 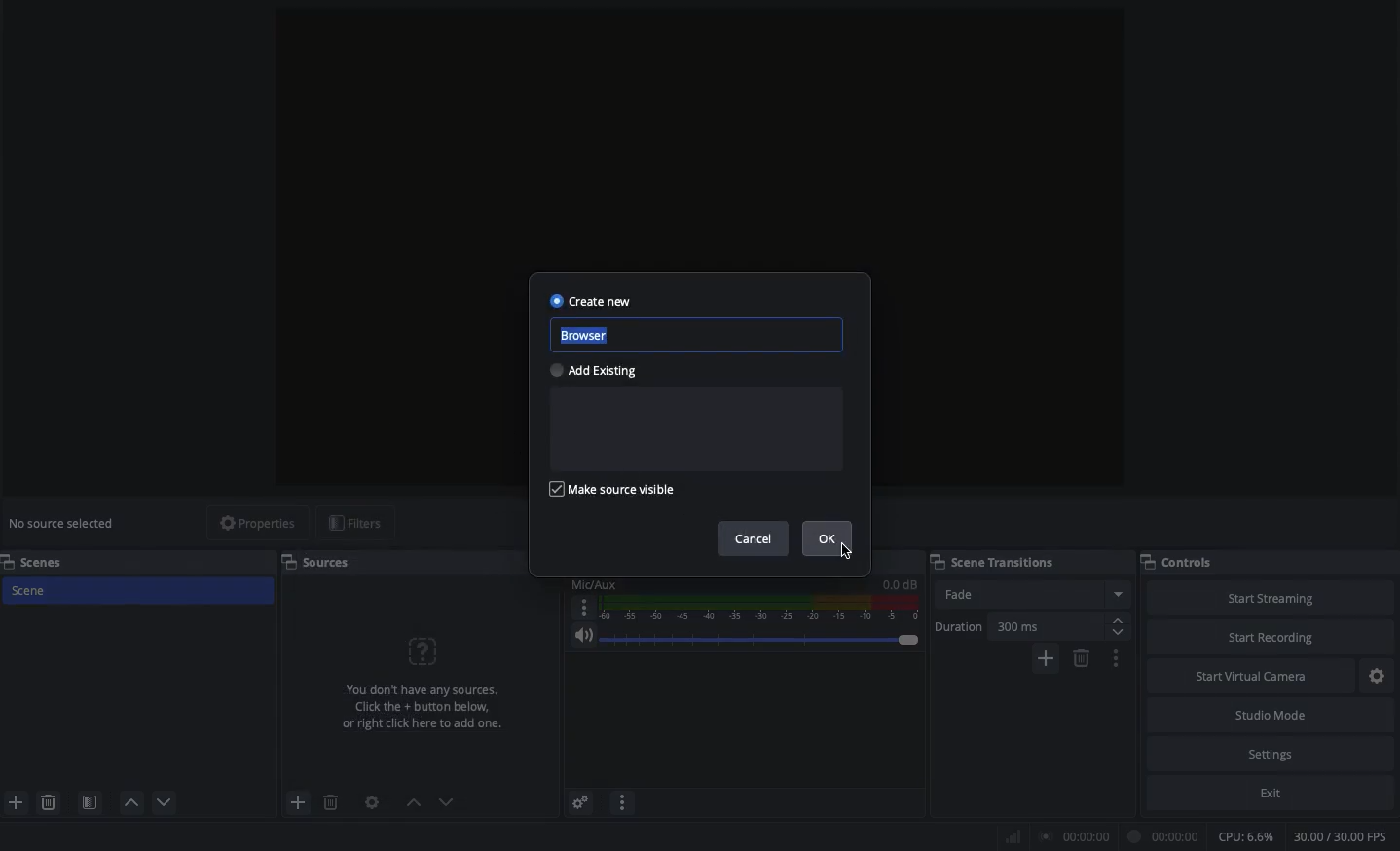 What do you see at coordinates (1380, 676) in the screenshot?
I see `Settings` at bounding box center [1380, 676].